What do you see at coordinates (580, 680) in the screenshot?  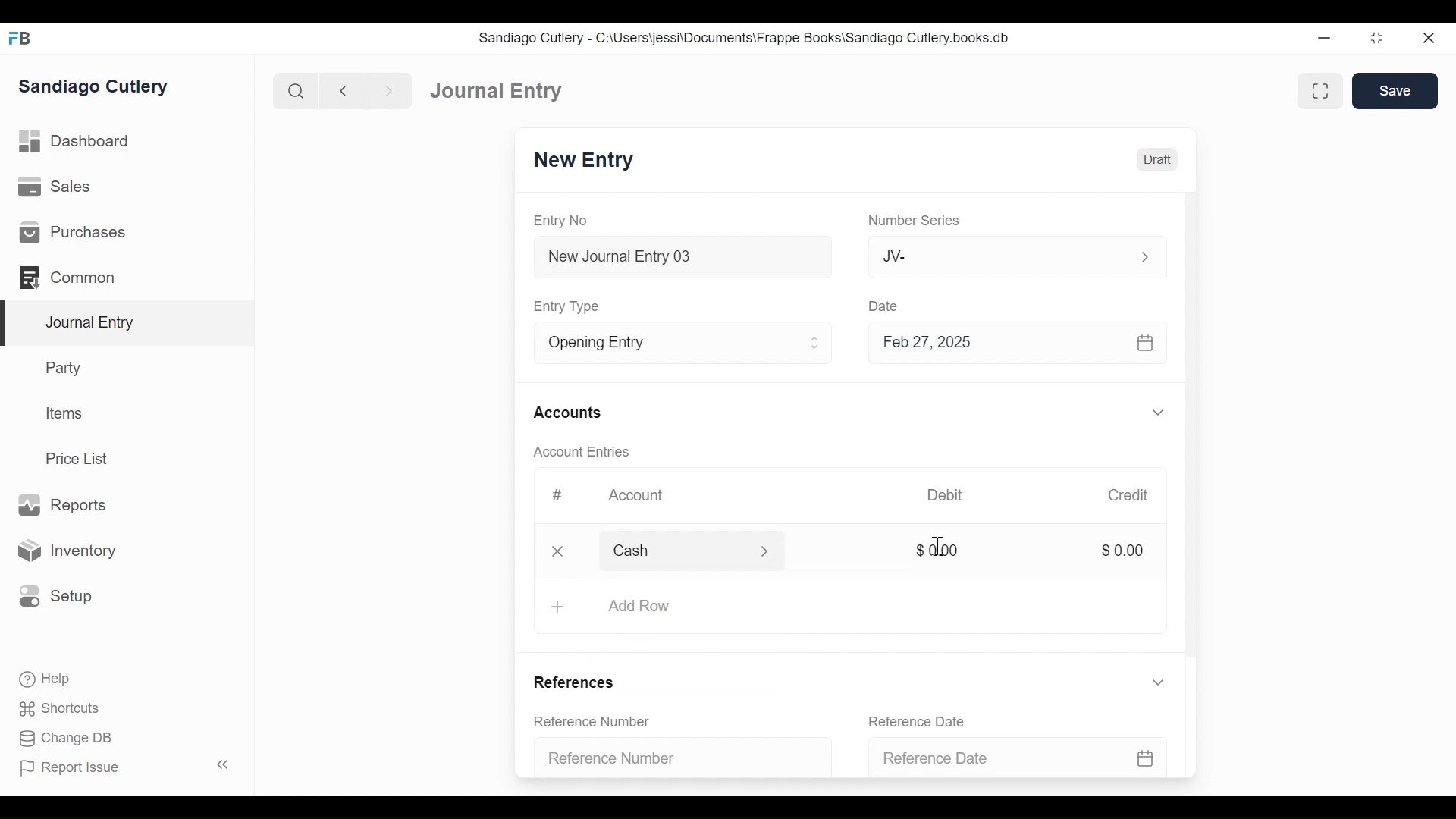 I see `References` at bounding box center [580, 680].